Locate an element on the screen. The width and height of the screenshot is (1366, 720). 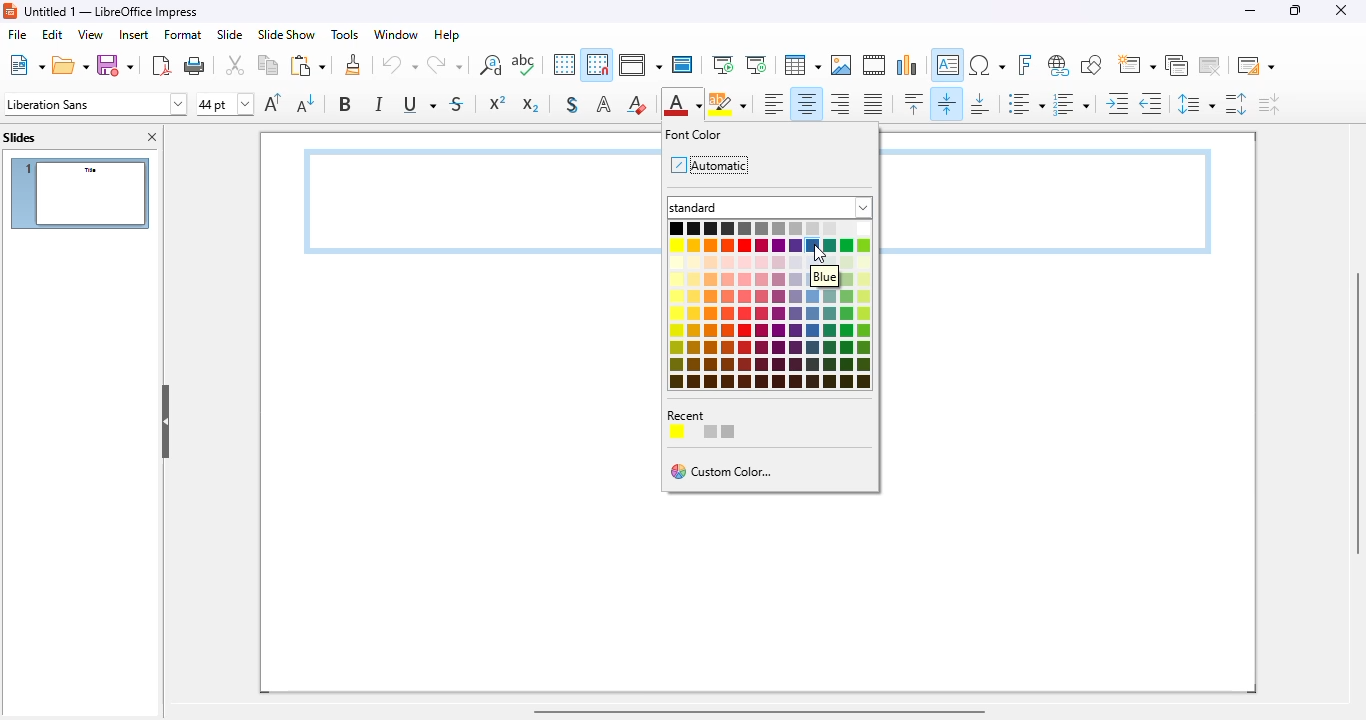
display views is located at coordinates (639, 65).